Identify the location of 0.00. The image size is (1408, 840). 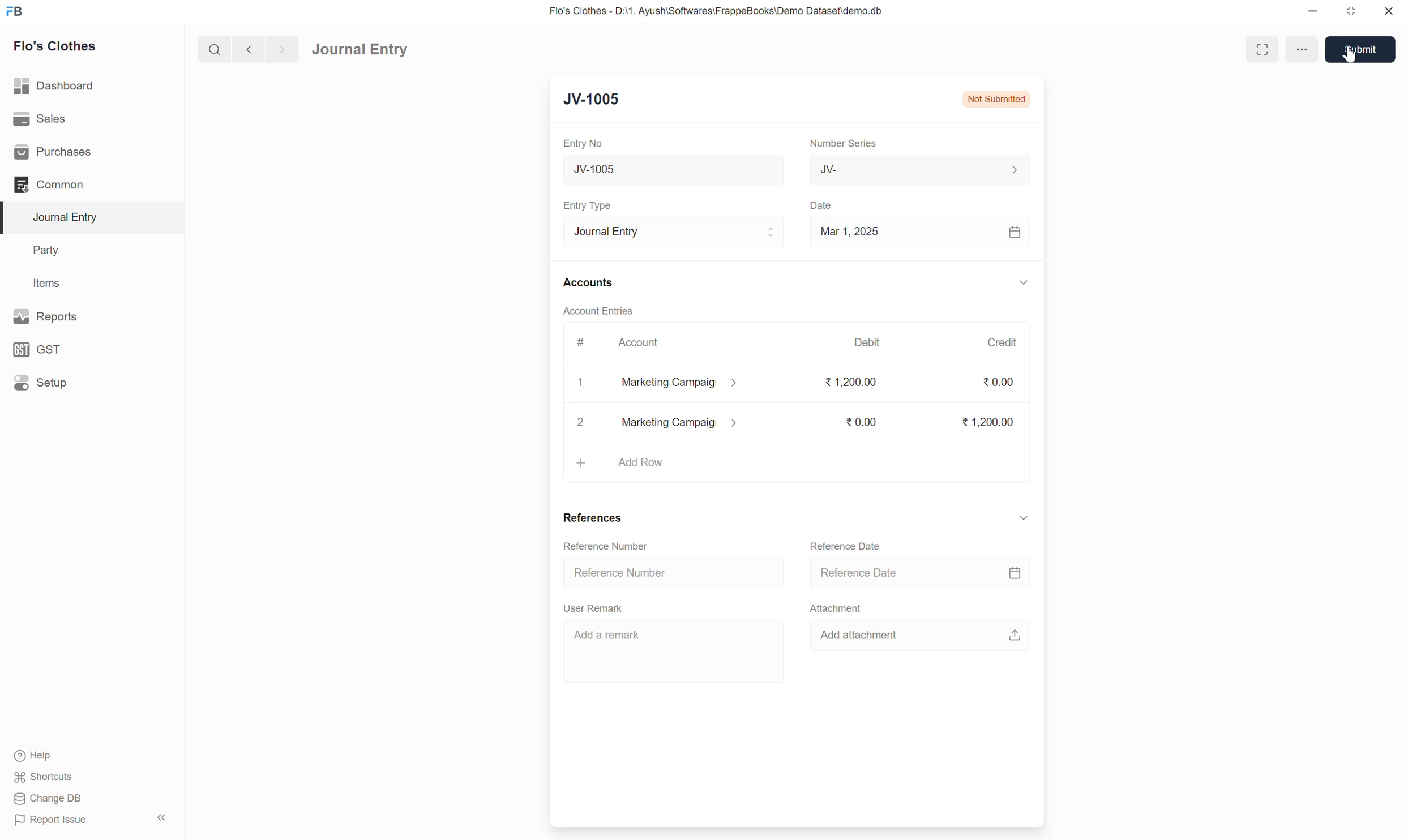
(859, 421).